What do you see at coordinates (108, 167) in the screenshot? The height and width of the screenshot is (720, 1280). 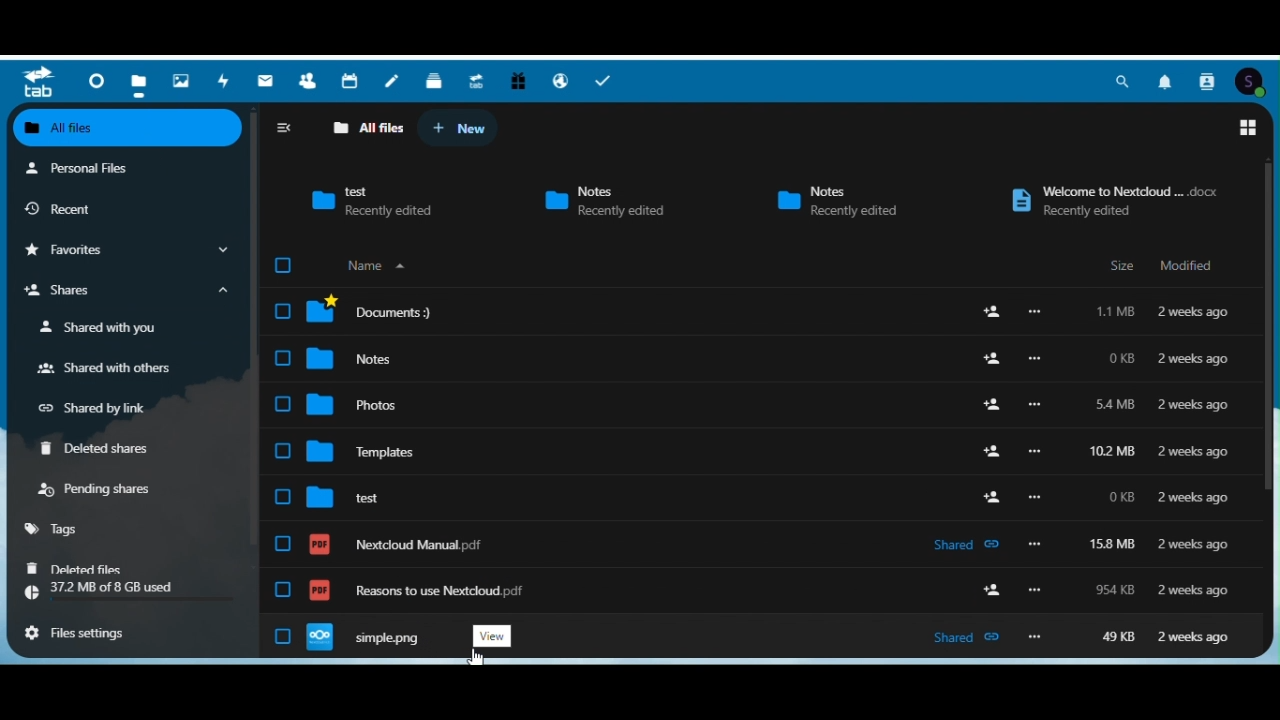 I see `Personal file` at bounding box center [108, 167].